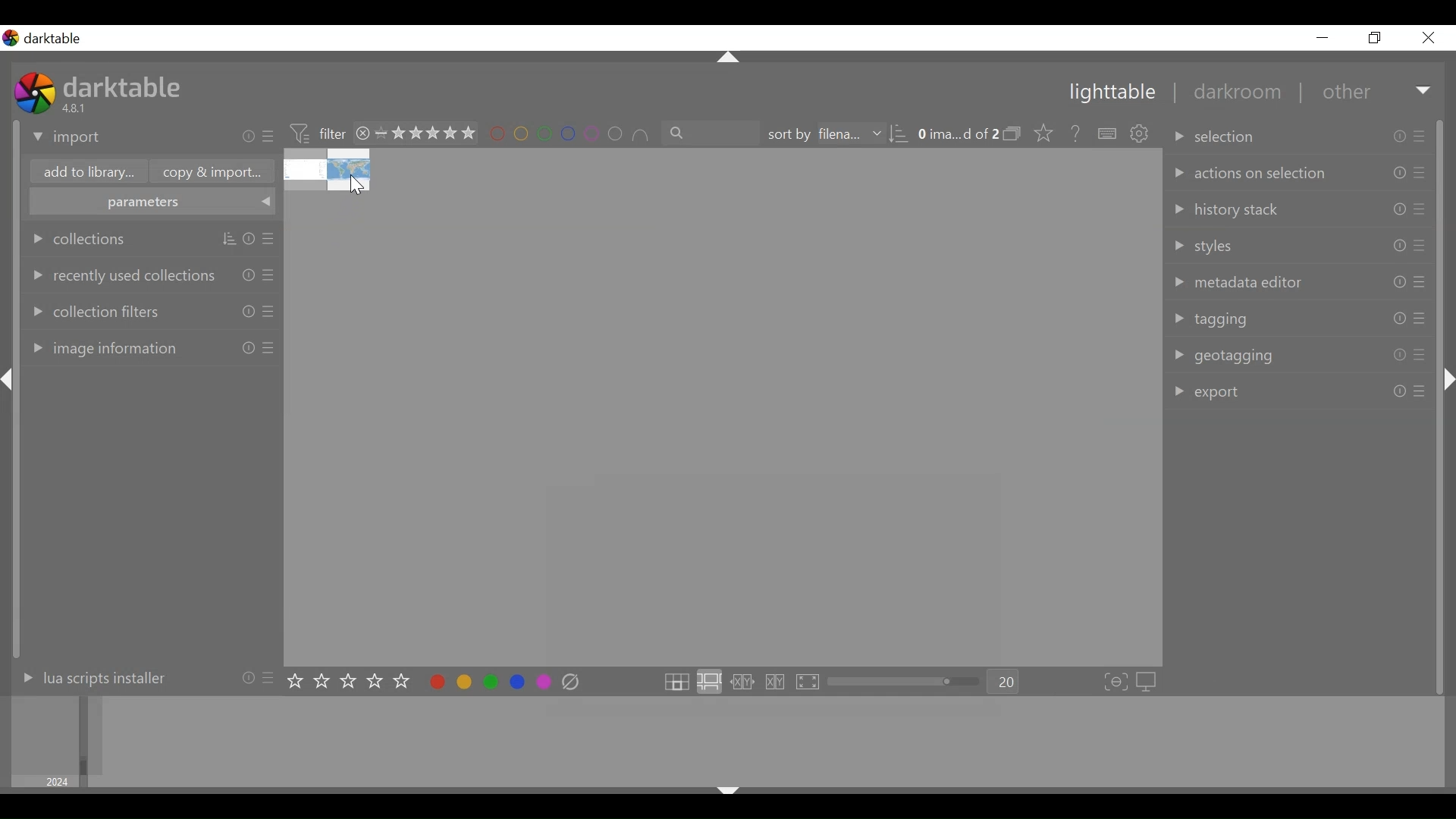 Image resolution: width=1456 pixels, height=819 pixels. Describe the element at coordinates (1045, 134) in the screenshot. I see `lick to change the type of overlays shown on thumbnails` at that location.